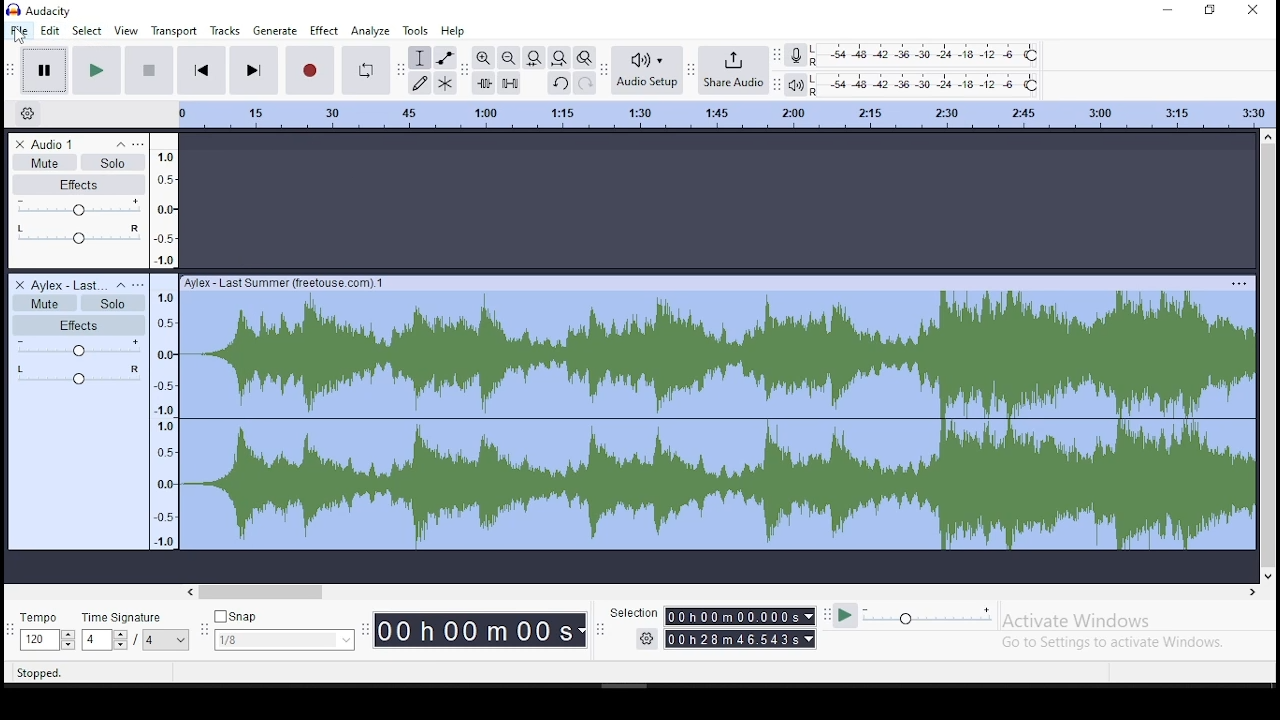  I want to click on file, so click(18, 30).